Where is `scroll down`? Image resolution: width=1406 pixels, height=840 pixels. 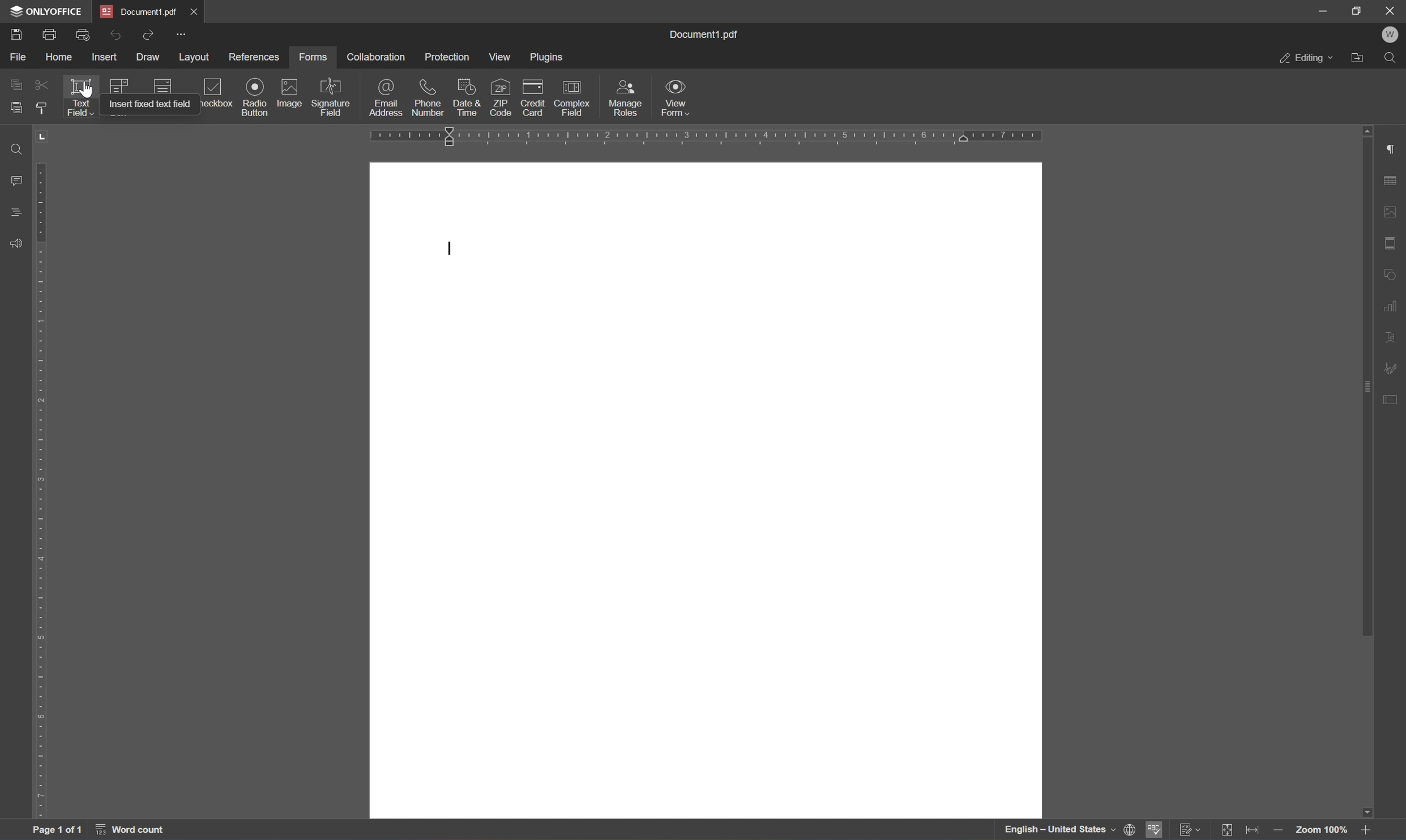 scroll down is located at coordinates (1366, 813).